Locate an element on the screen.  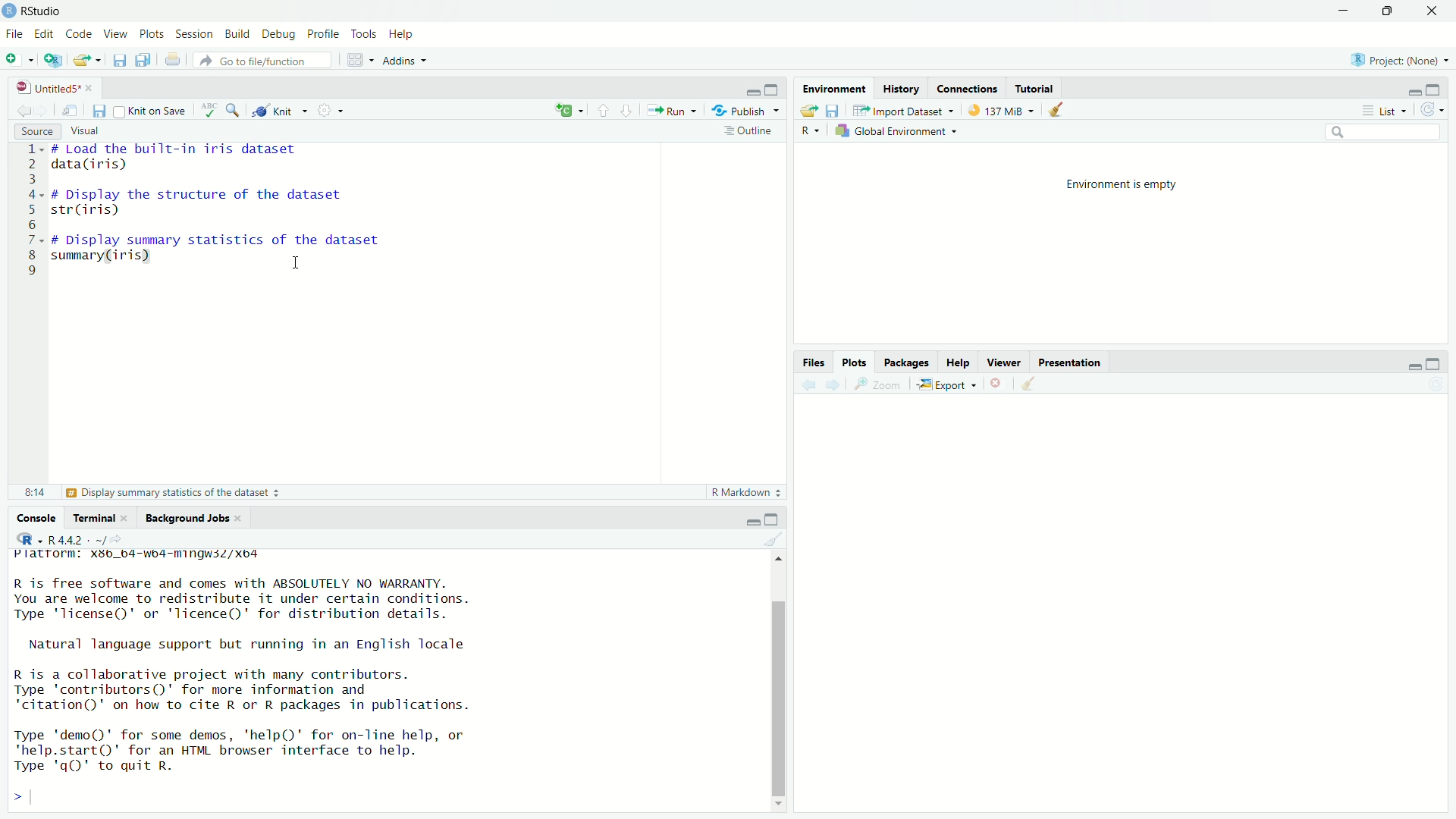
Go to next location is located at coordinates (43, 110).